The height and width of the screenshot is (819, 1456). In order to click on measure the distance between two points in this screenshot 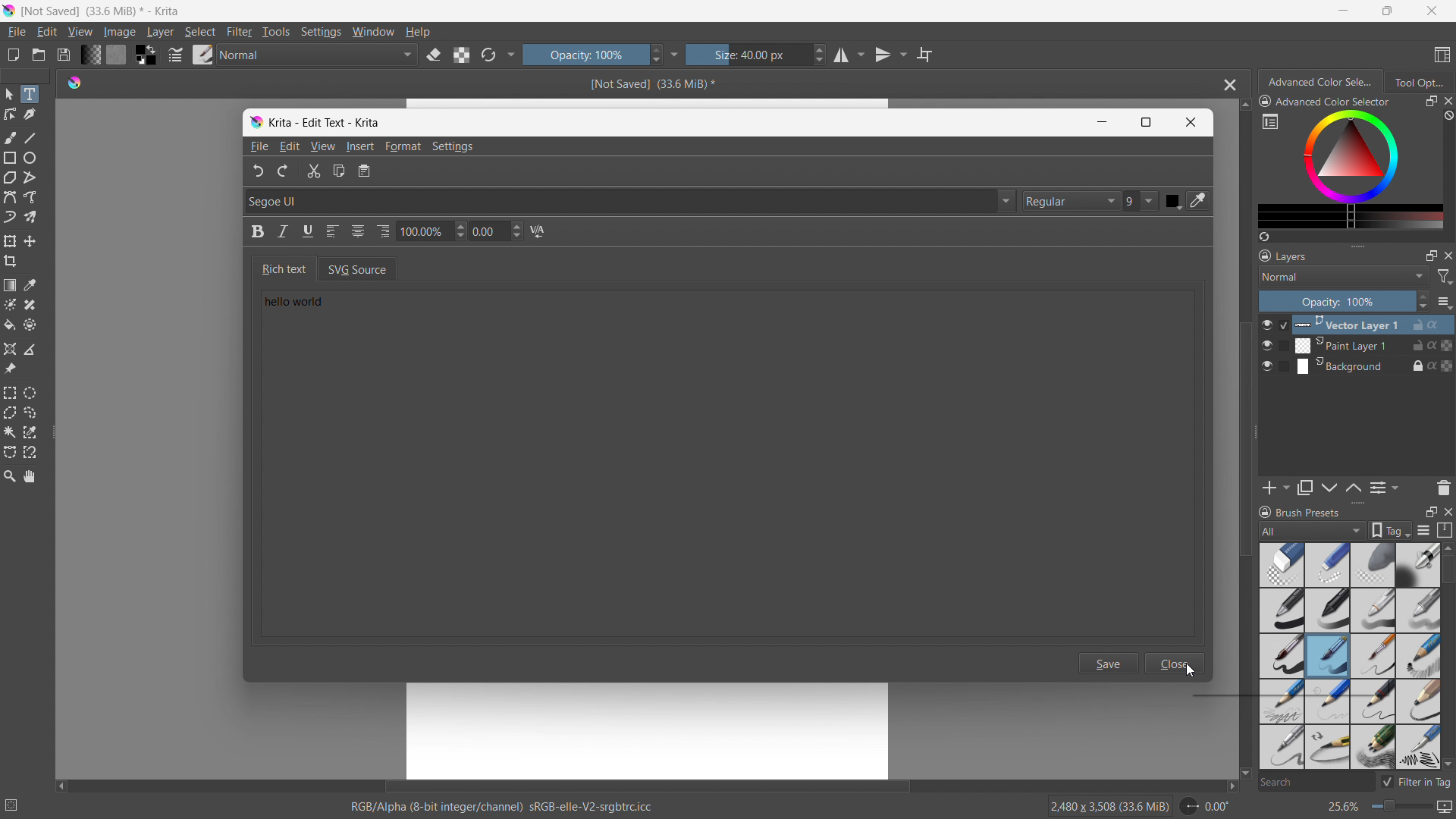, I will do `click(30, 349)`.